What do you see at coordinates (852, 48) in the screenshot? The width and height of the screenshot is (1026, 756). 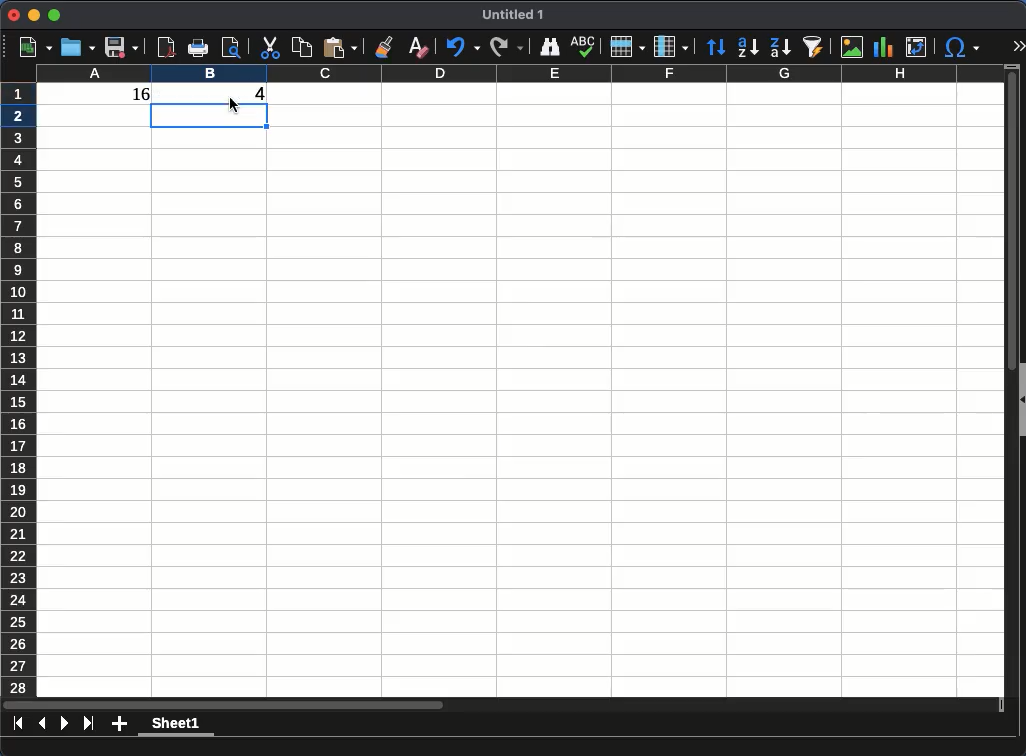 I see `image` at bounding box center [852, 48].